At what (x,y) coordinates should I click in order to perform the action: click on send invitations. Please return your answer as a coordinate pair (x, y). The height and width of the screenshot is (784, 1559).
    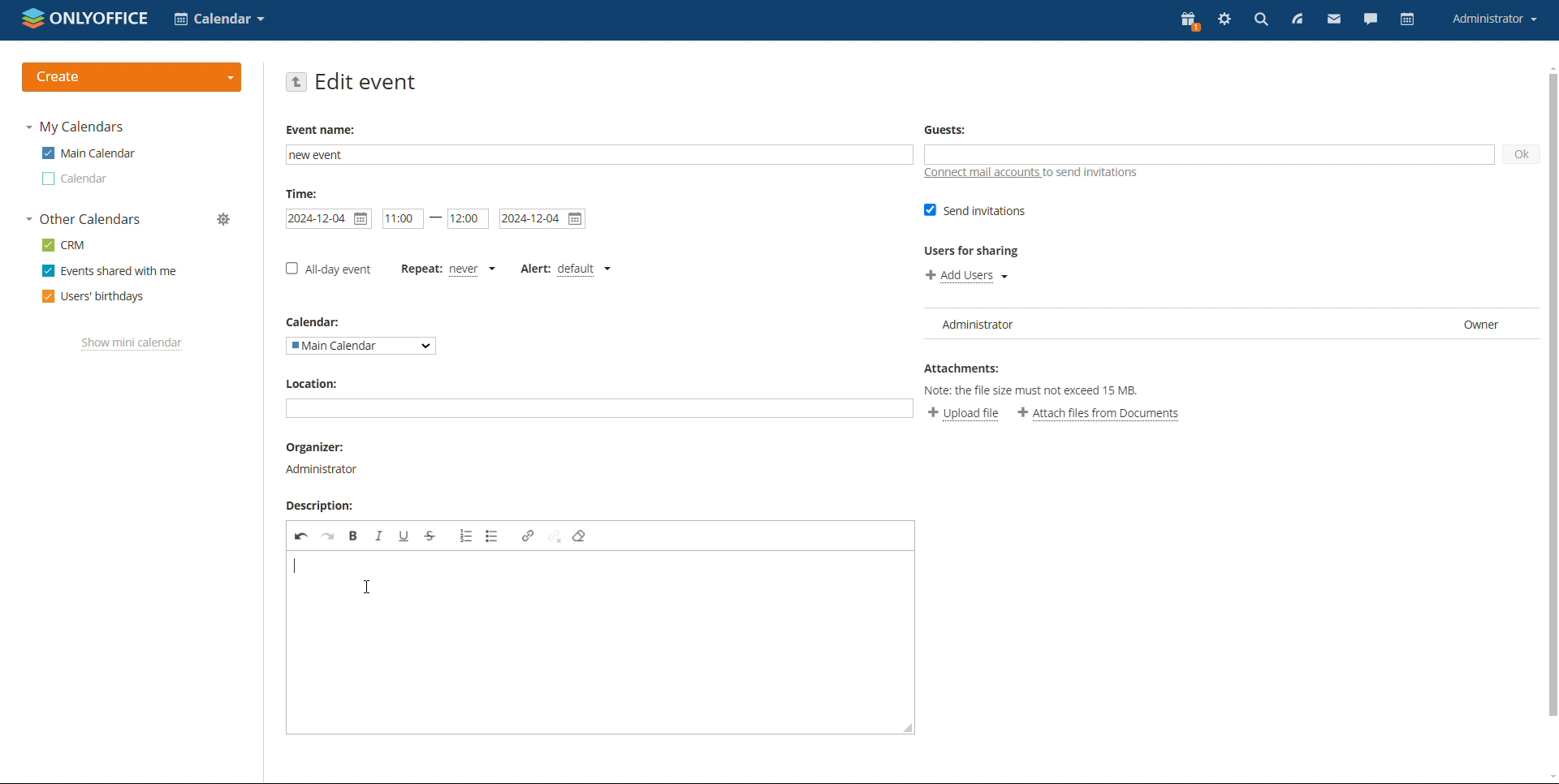
    Looking at the image, I should click on (972, 210).